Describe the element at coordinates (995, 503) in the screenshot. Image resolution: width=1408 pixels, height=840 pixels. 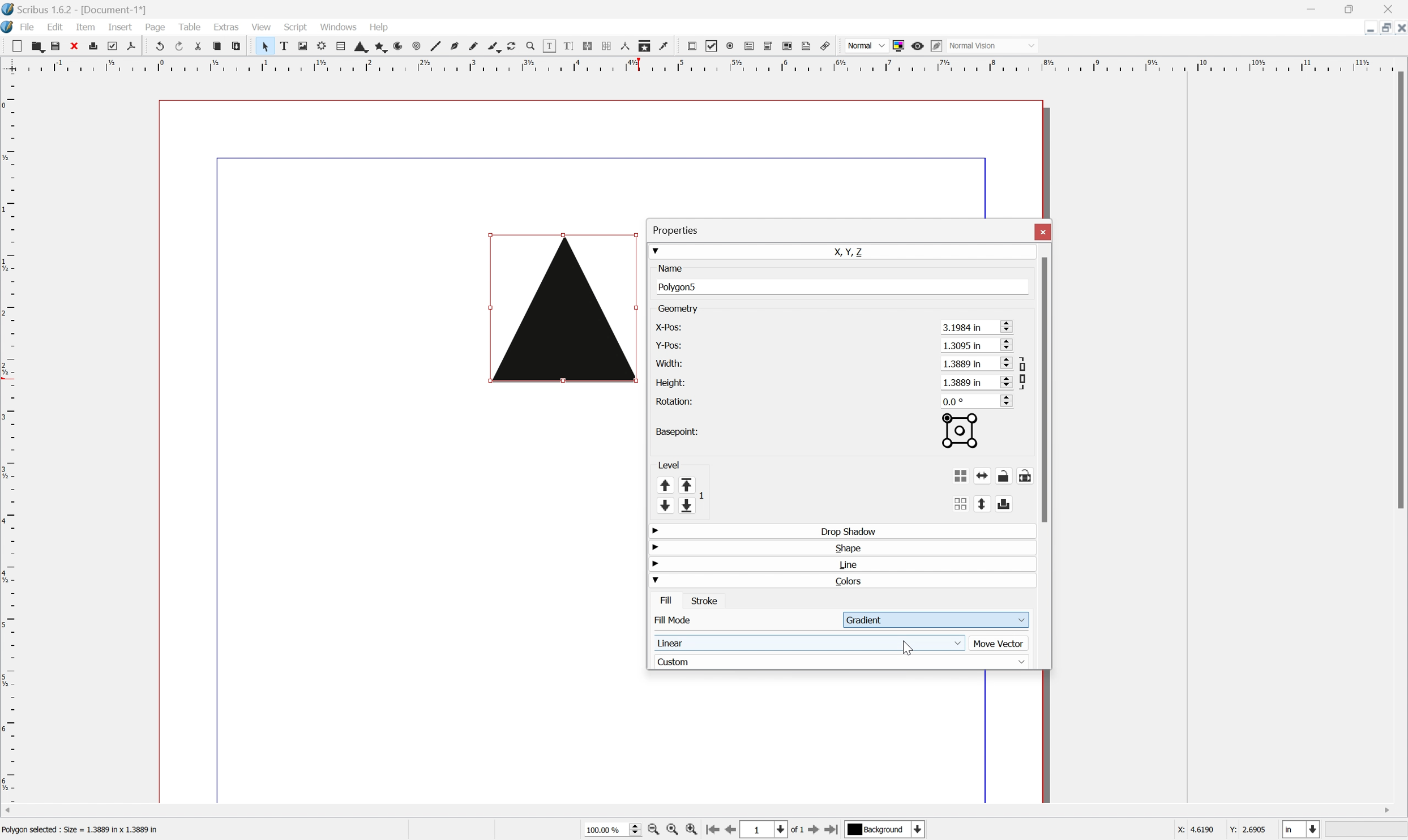
I see `Flip vertically` at that location.